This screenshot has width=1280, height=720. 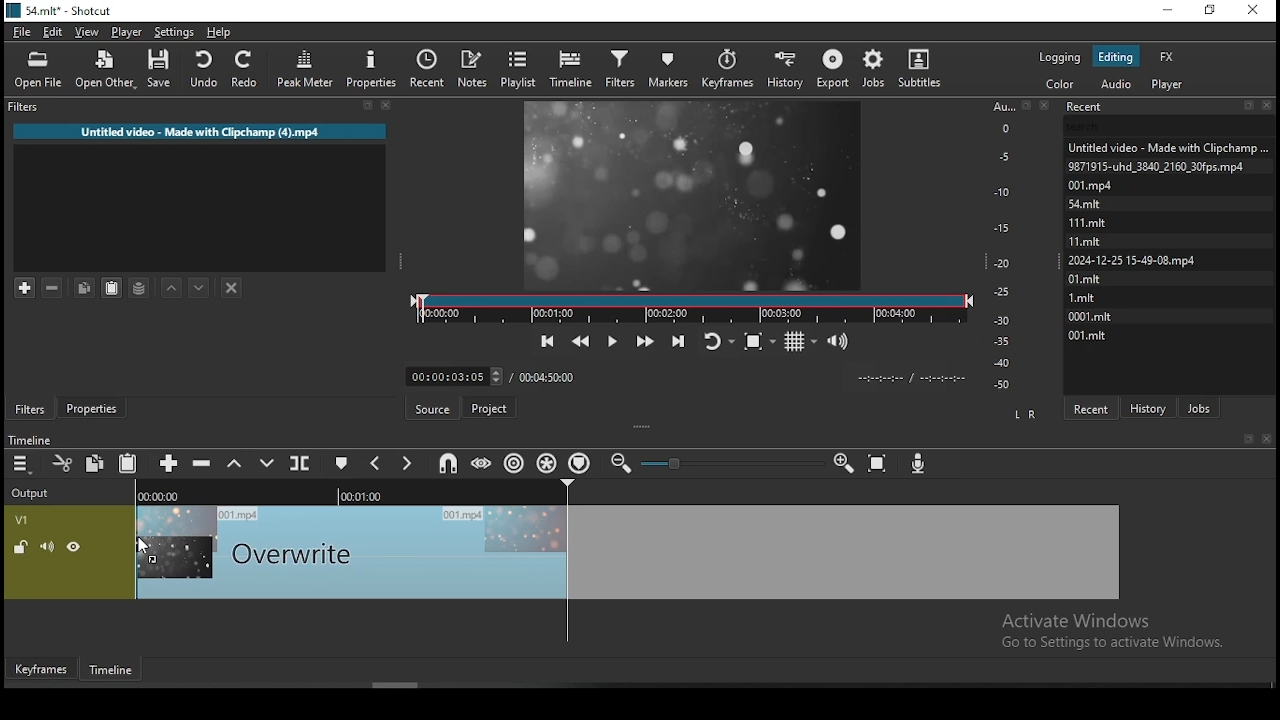 What do you see at coordinates (380, 684) in the screenshot?
I see `scroll bar` at bounding box center [380, 684].